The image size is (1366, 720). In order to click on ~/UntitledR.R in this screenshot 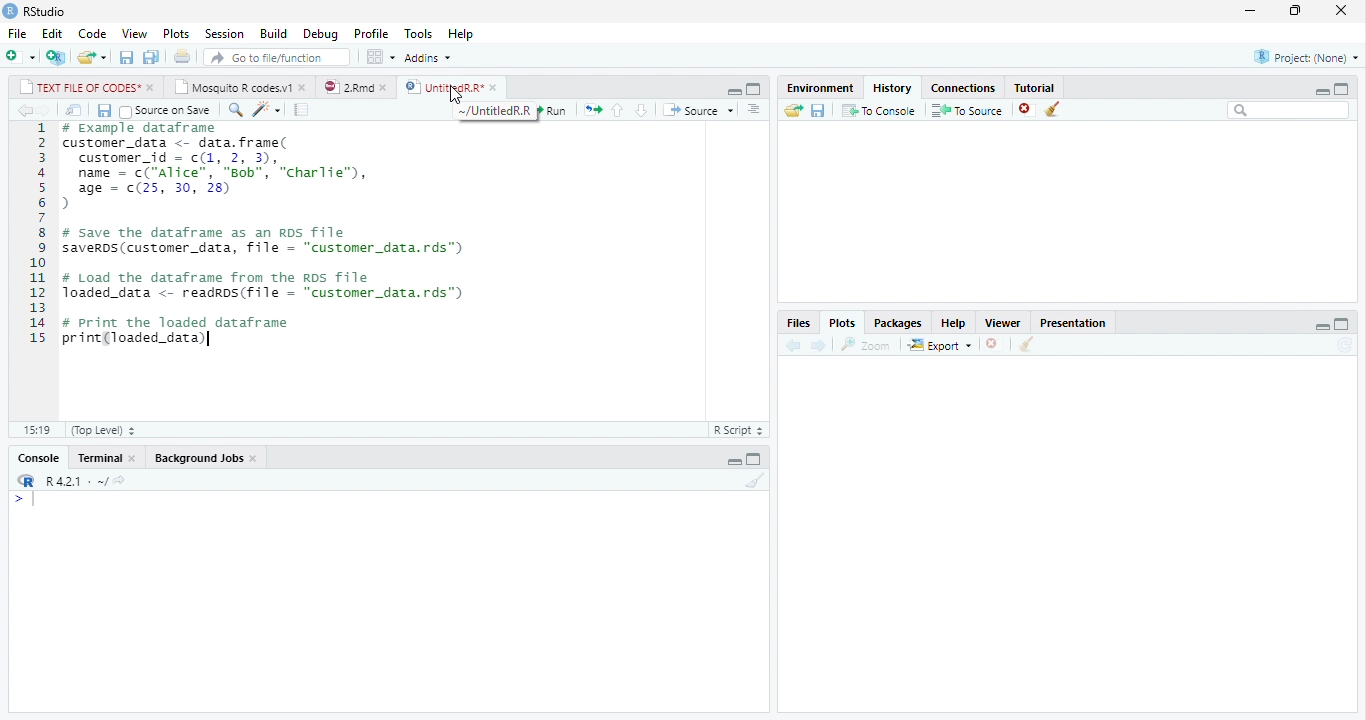, I will do `click(497, 111)`.